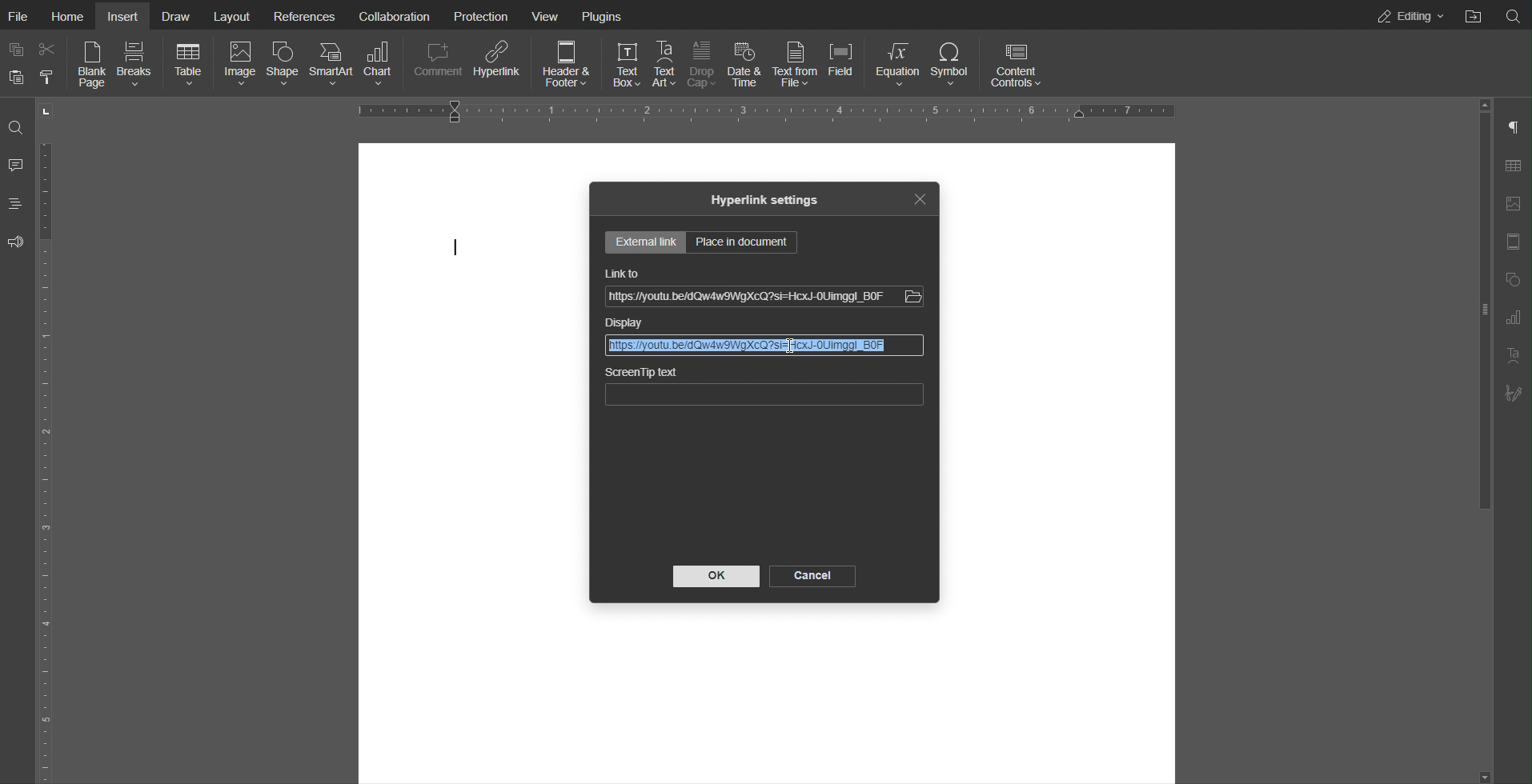 This screenshot has width=1532, height=784. I want to click on Hyperlink settings, so click(764, 201).